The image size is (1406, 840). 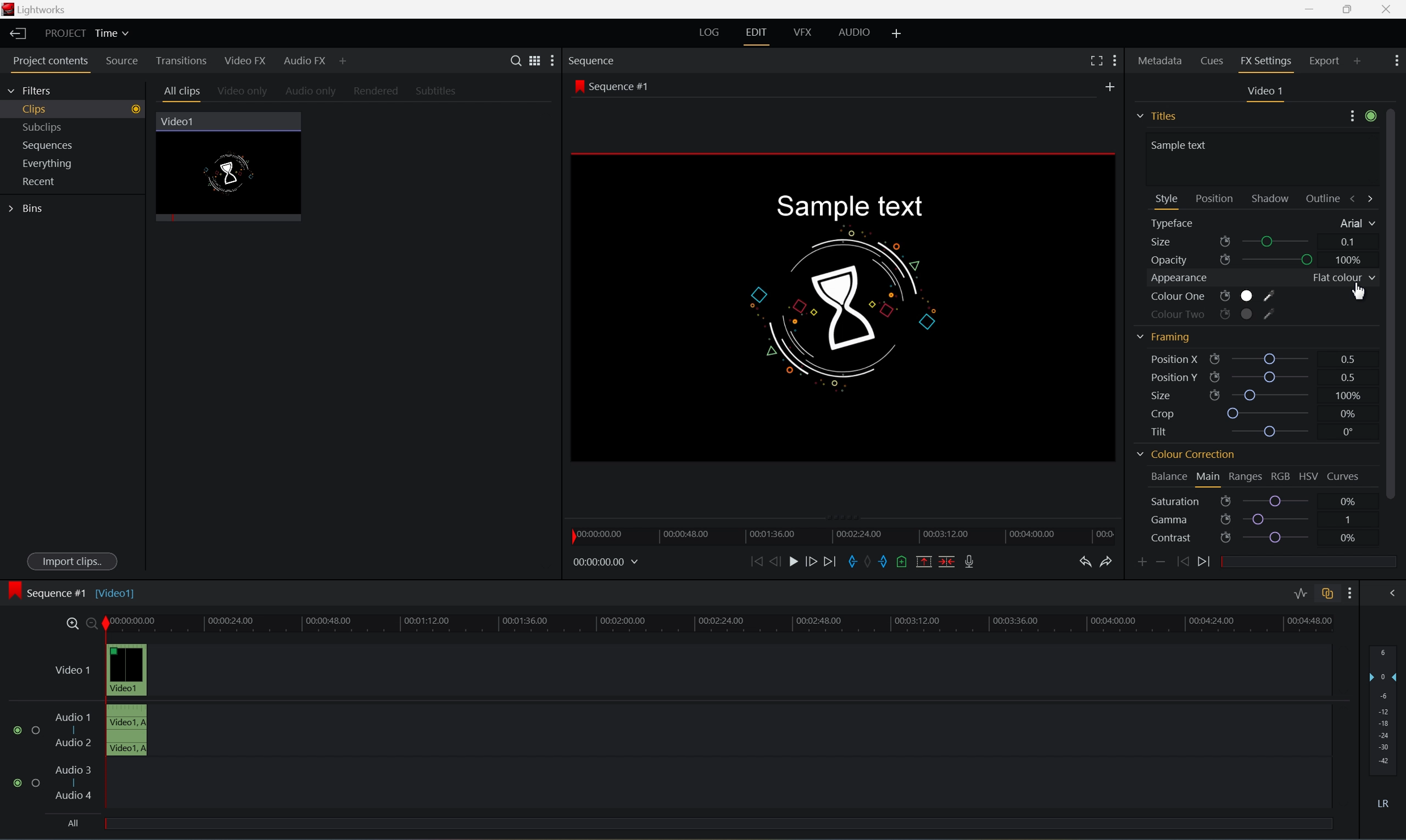 What do you see at coordinates (943, 561) in the screenshot?
I see `delete/cut` at bounding box center [943, 561].